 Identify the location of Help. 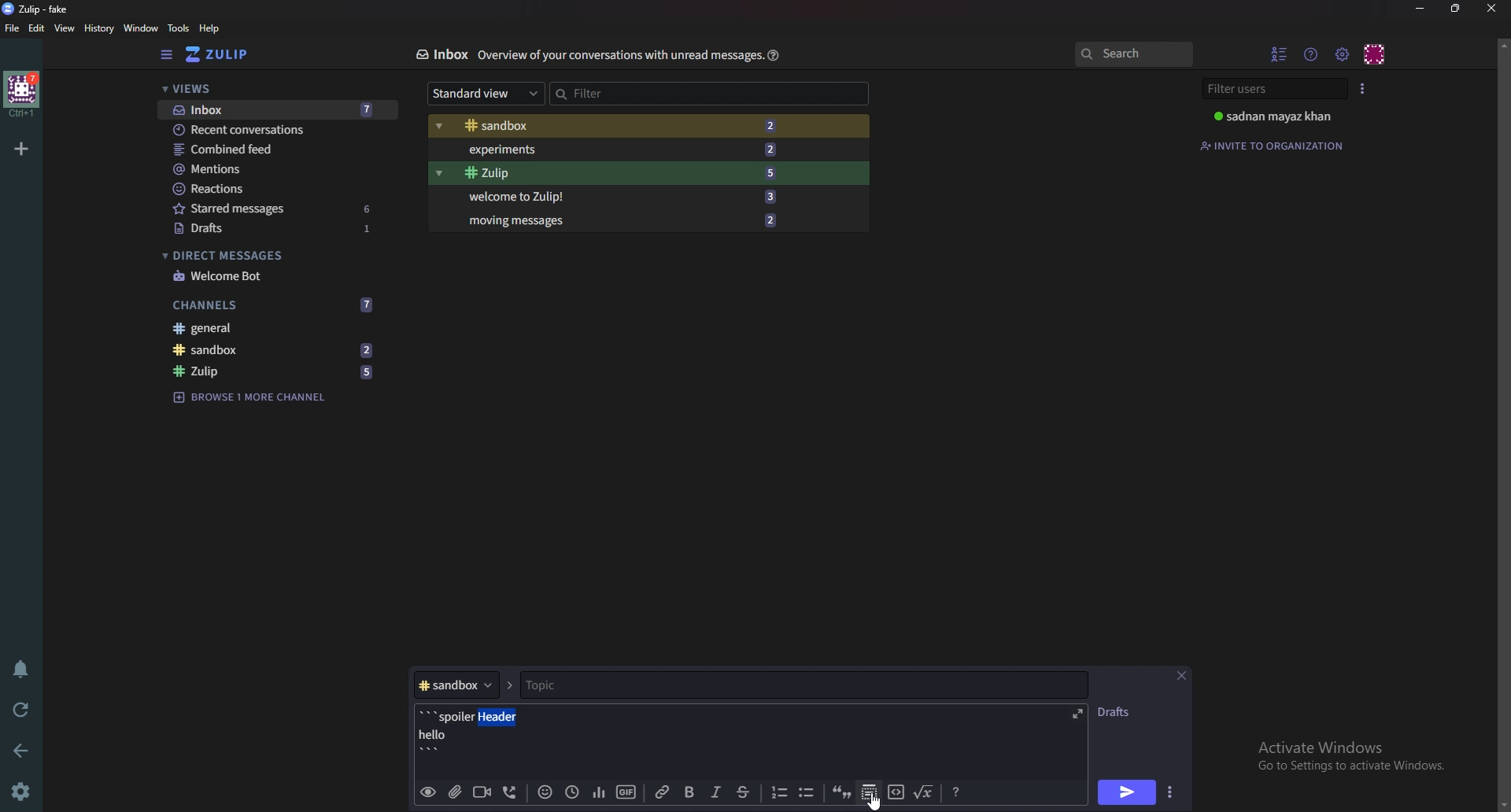
(213, 28).